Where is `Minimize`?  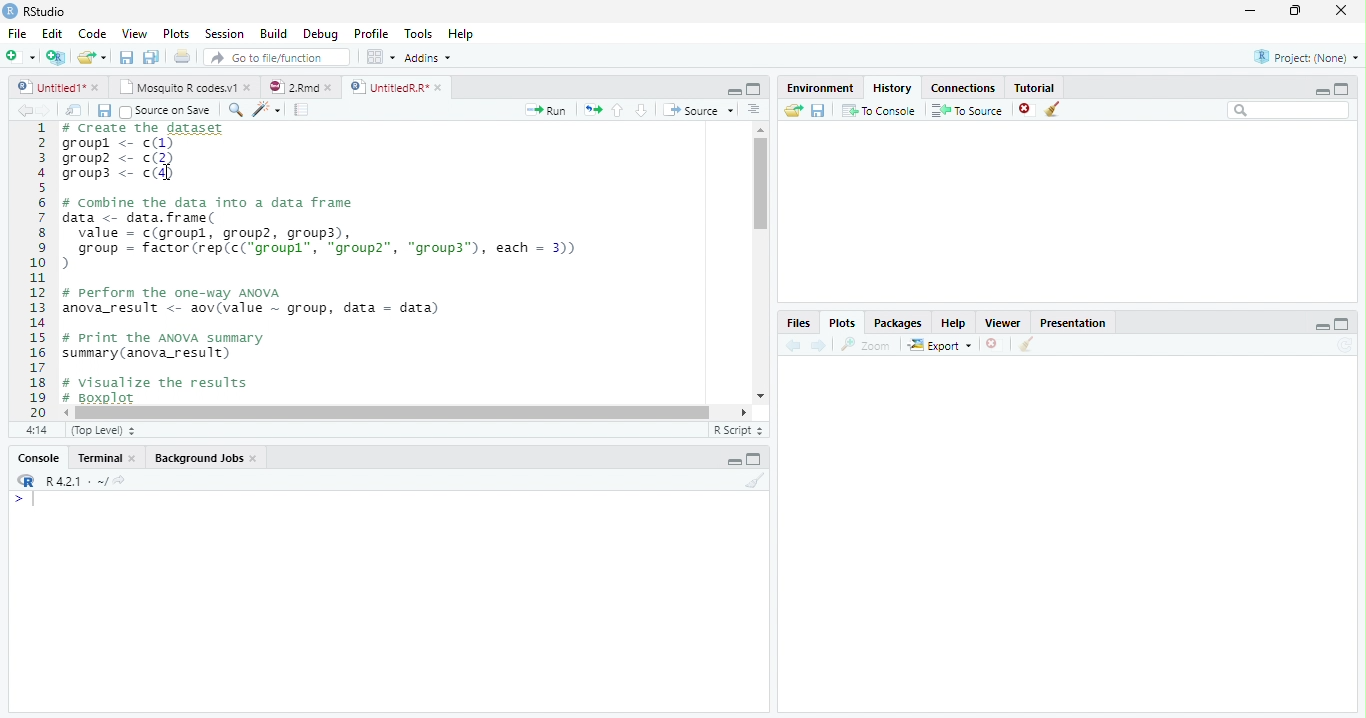
Minimize is located at coordinates (731, 90).